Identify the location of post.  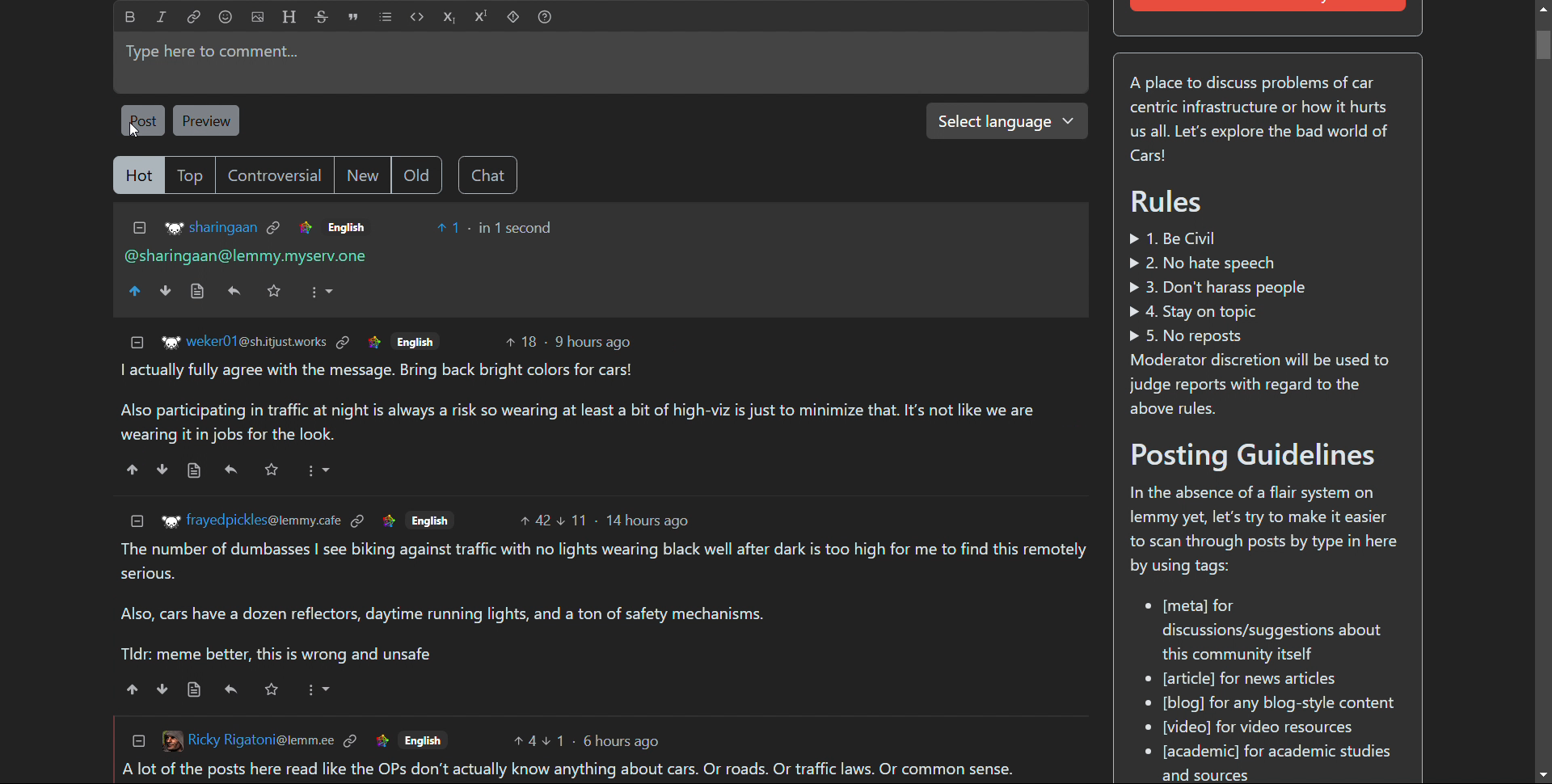
(143, 121).